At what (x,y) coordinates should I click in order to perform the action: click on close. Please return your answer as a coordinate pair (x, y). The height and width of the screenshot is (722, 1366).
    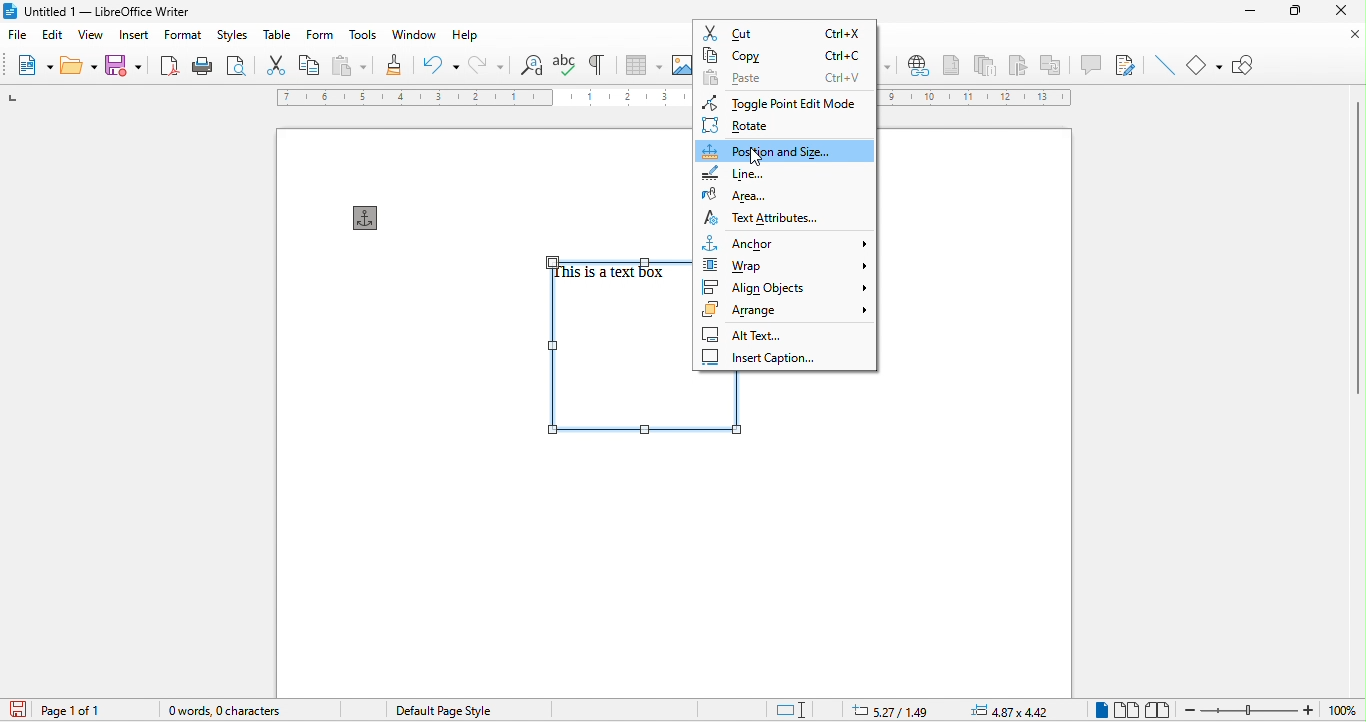
    Looking at the image, I should click on (1343, 11).